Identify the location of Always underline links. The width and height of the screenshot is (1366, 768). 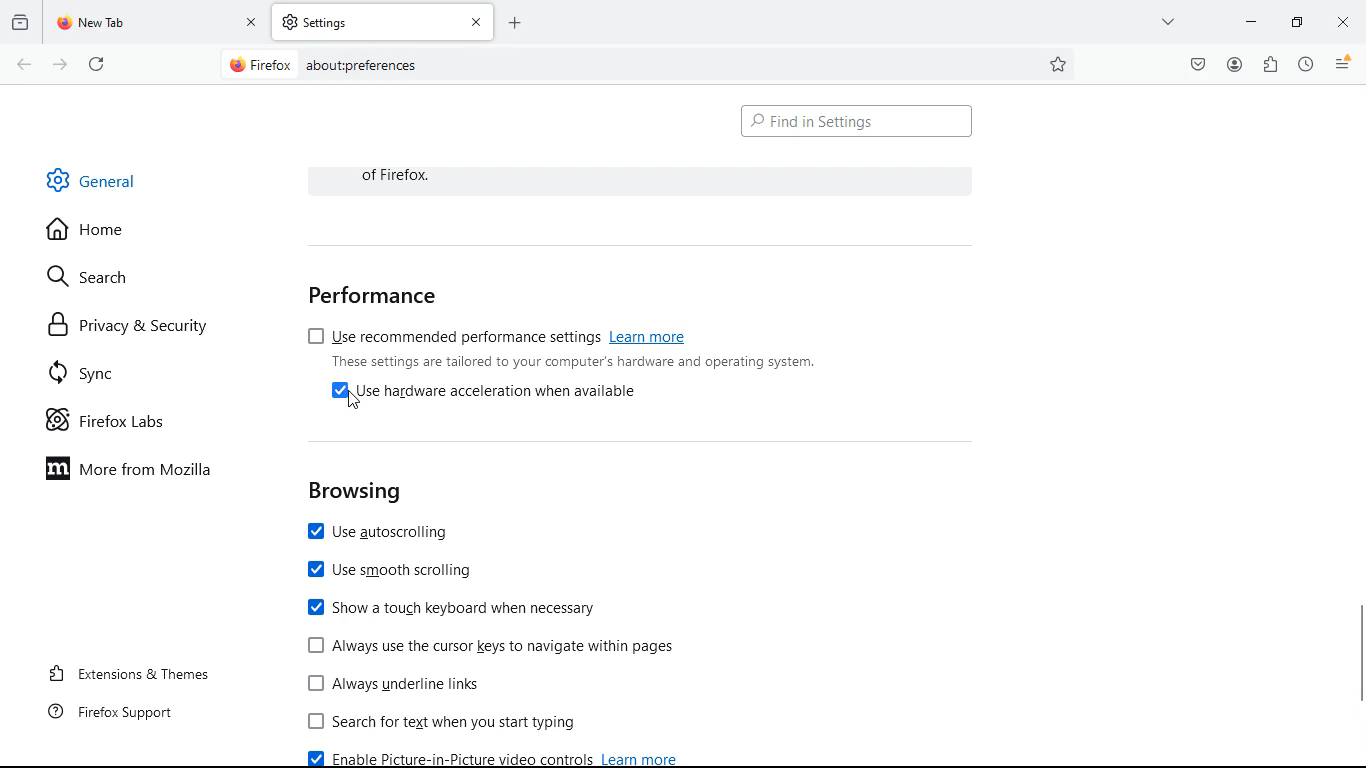
(393, 685).